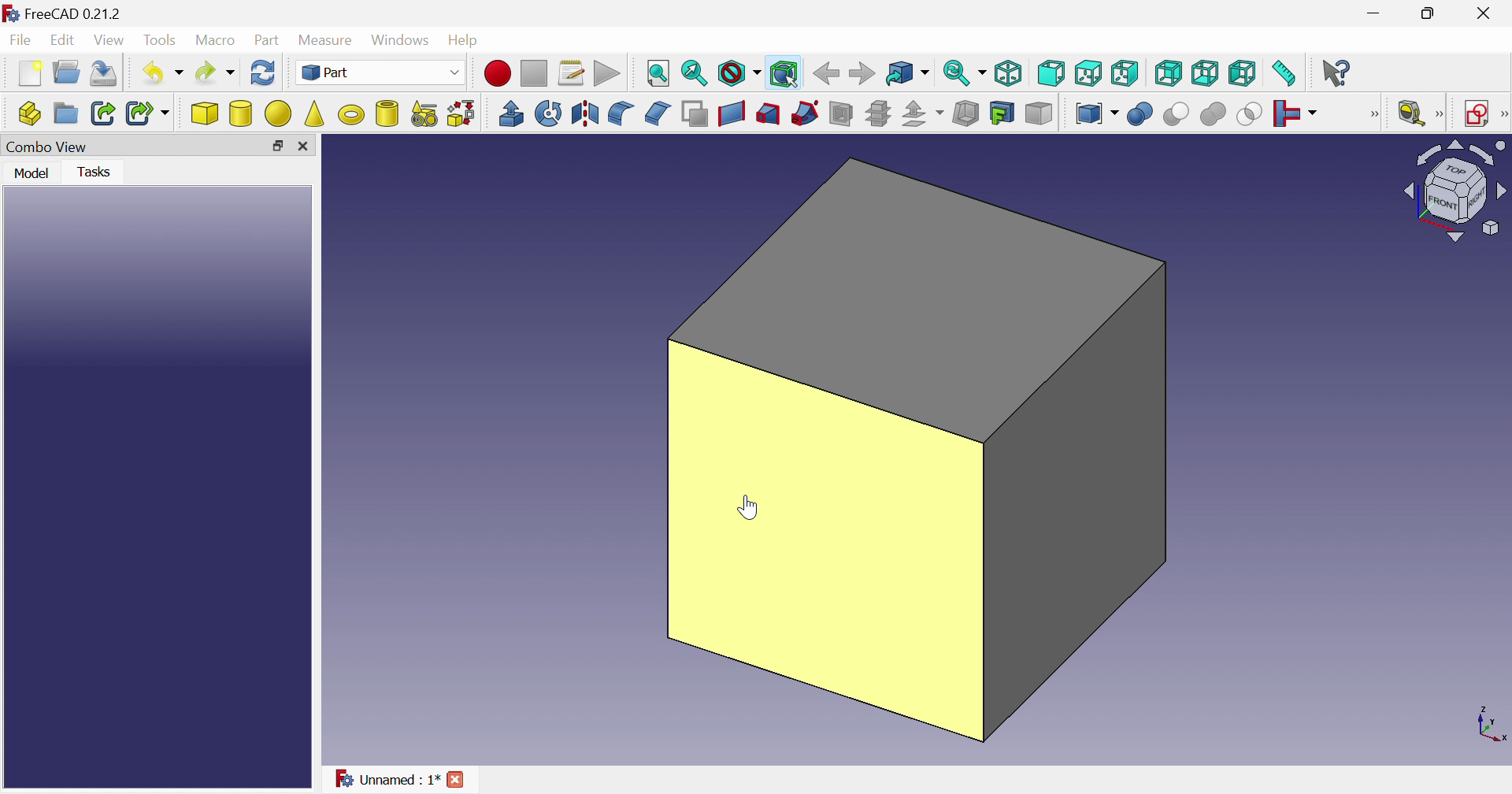 This screenshot has height=794, width=1512. Describe the element at coordinates (864, 72) in the screenshot. I see `Forward` at that location.